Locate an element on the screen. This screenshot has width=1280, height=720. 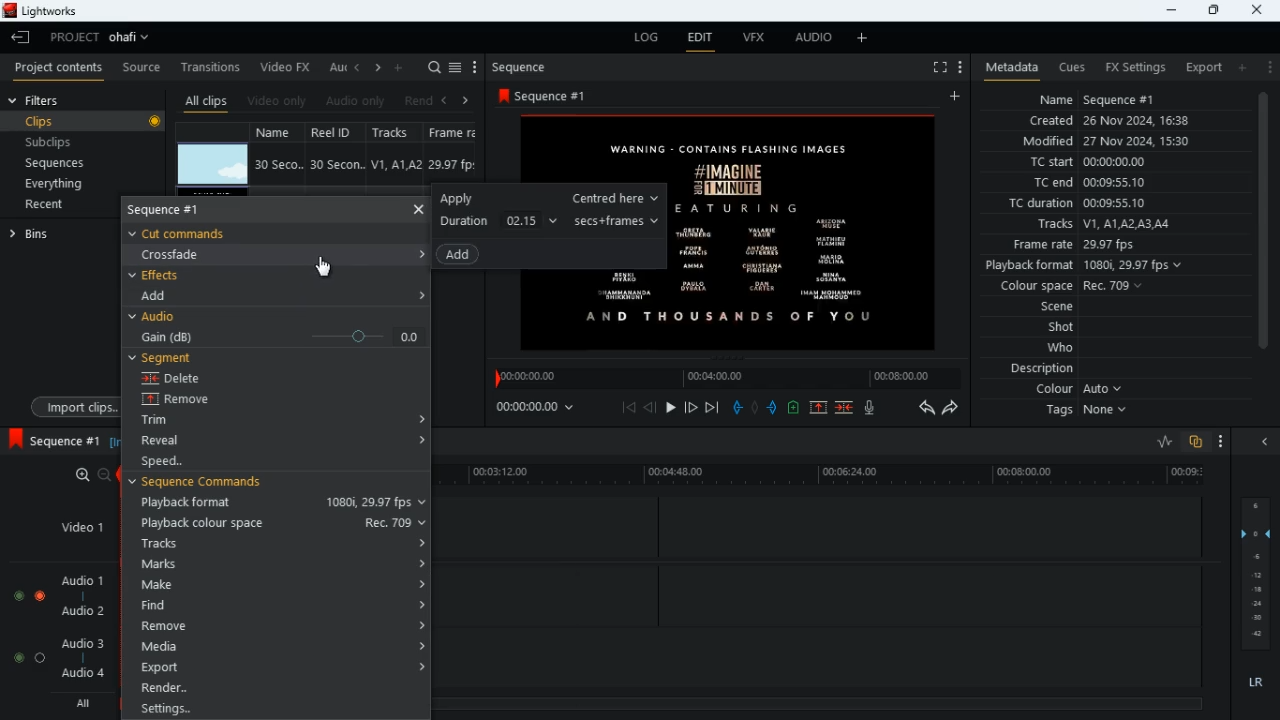
up is located at coordinates (818, 409).